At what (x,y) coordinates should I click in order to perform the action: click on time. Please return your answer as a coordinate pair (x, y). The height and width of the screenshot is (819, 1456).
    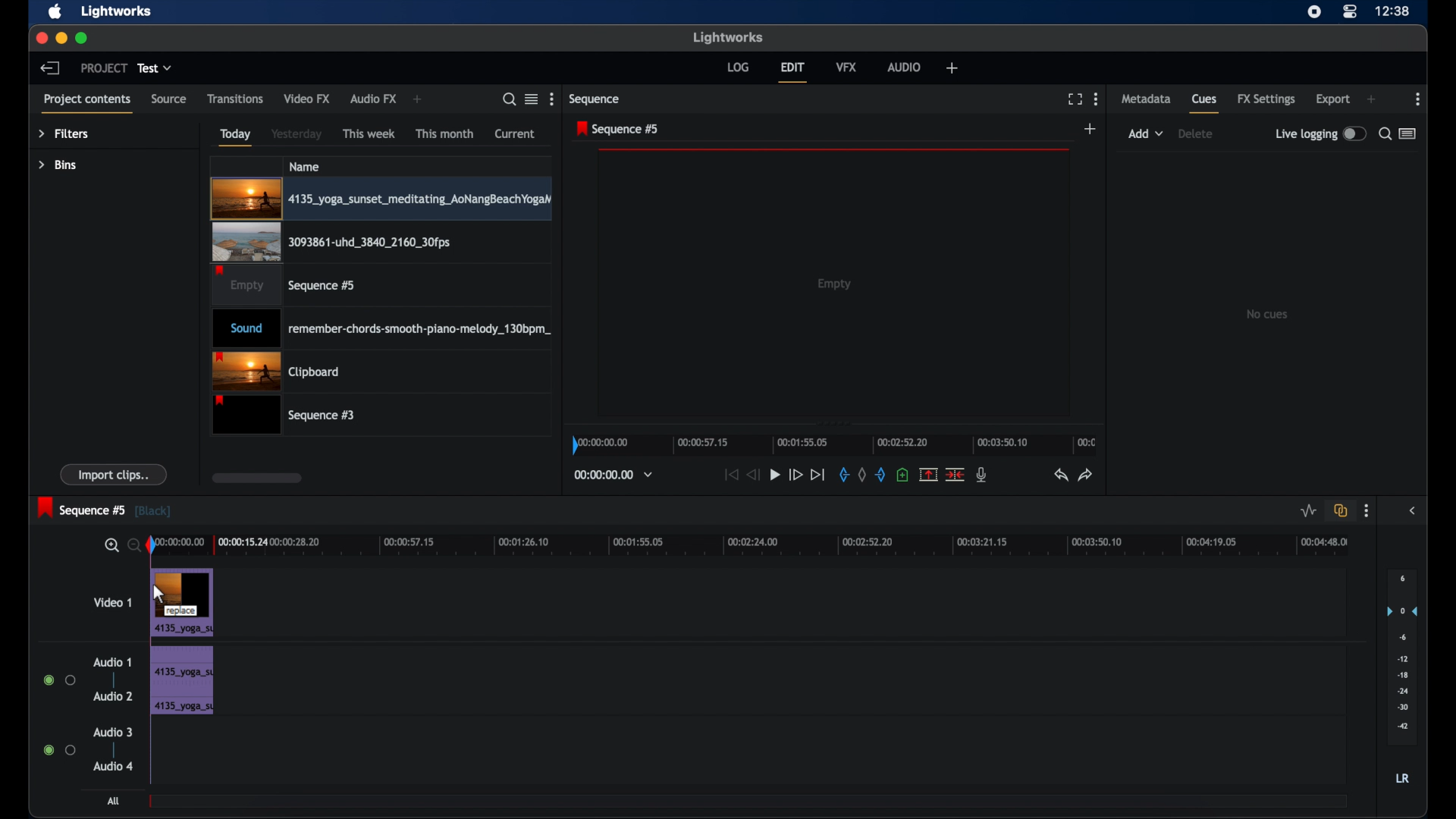
    Looking at the image, I should click on (1394, 11).